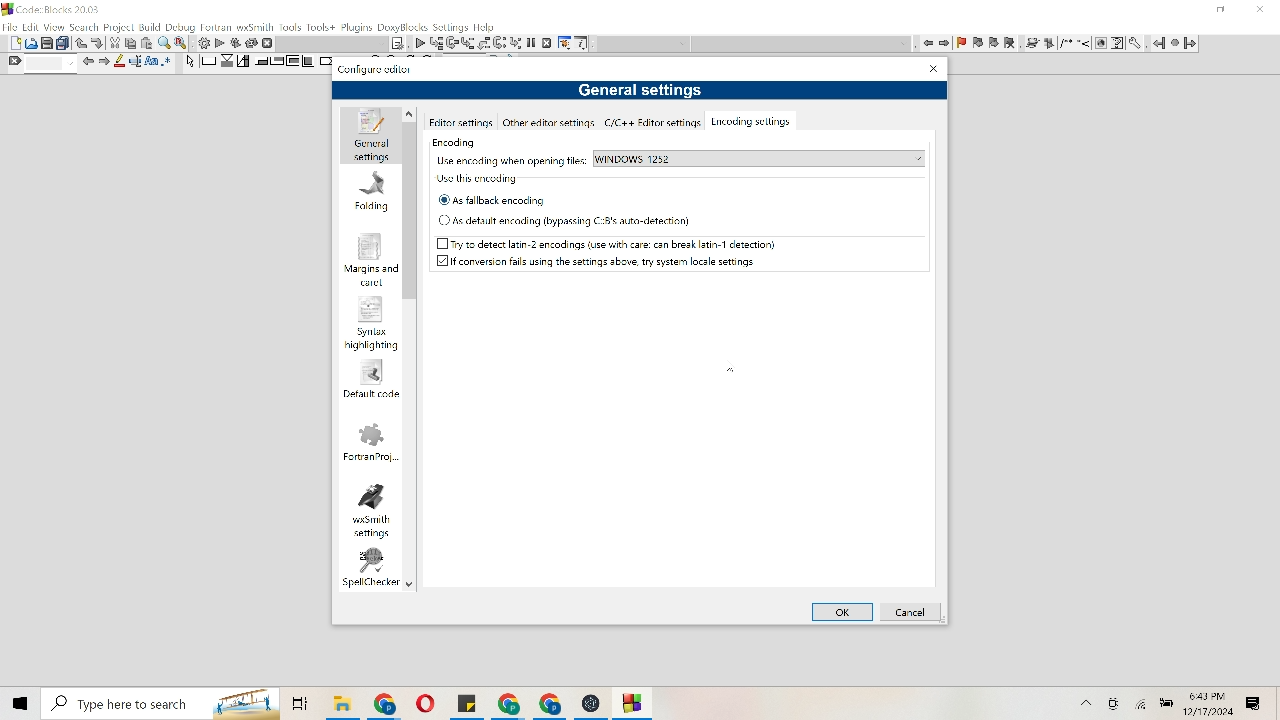 This screenshot has height=720, width=1280. I want to click on Fortran project, so click(370, 438).